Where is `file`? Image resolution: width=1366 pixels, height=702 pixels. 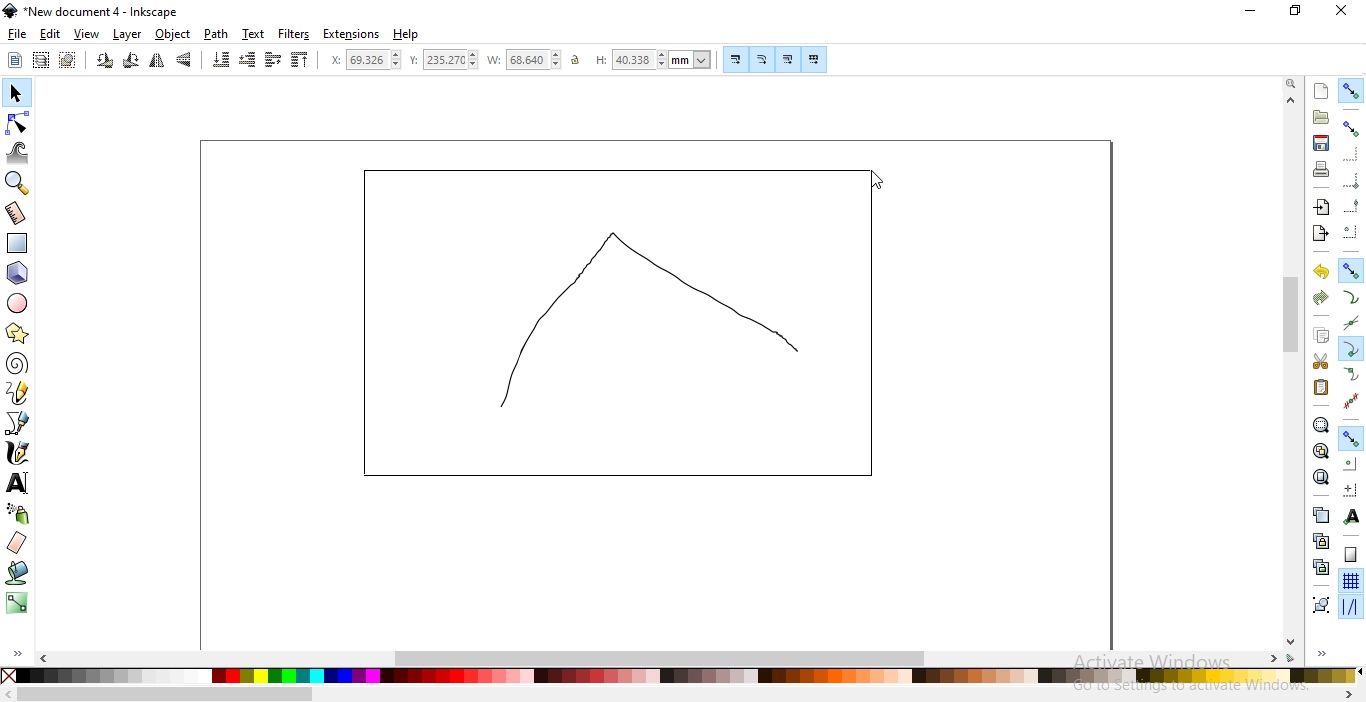 file is located at coordinates (17, 34).